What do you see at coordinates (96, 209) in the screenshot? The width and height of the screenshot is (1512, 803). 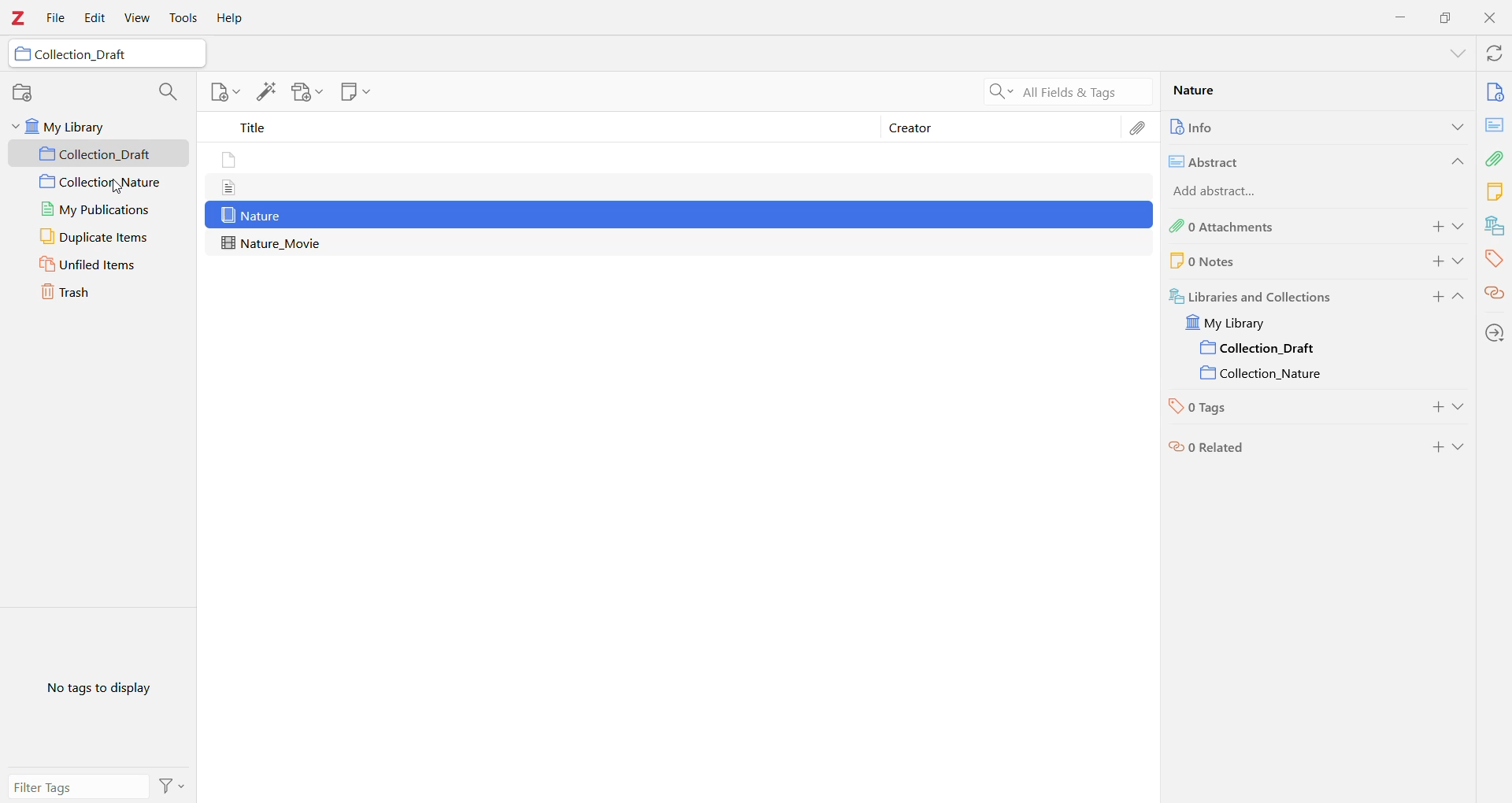 I see `My Publications` at bounding box center [96, 209].